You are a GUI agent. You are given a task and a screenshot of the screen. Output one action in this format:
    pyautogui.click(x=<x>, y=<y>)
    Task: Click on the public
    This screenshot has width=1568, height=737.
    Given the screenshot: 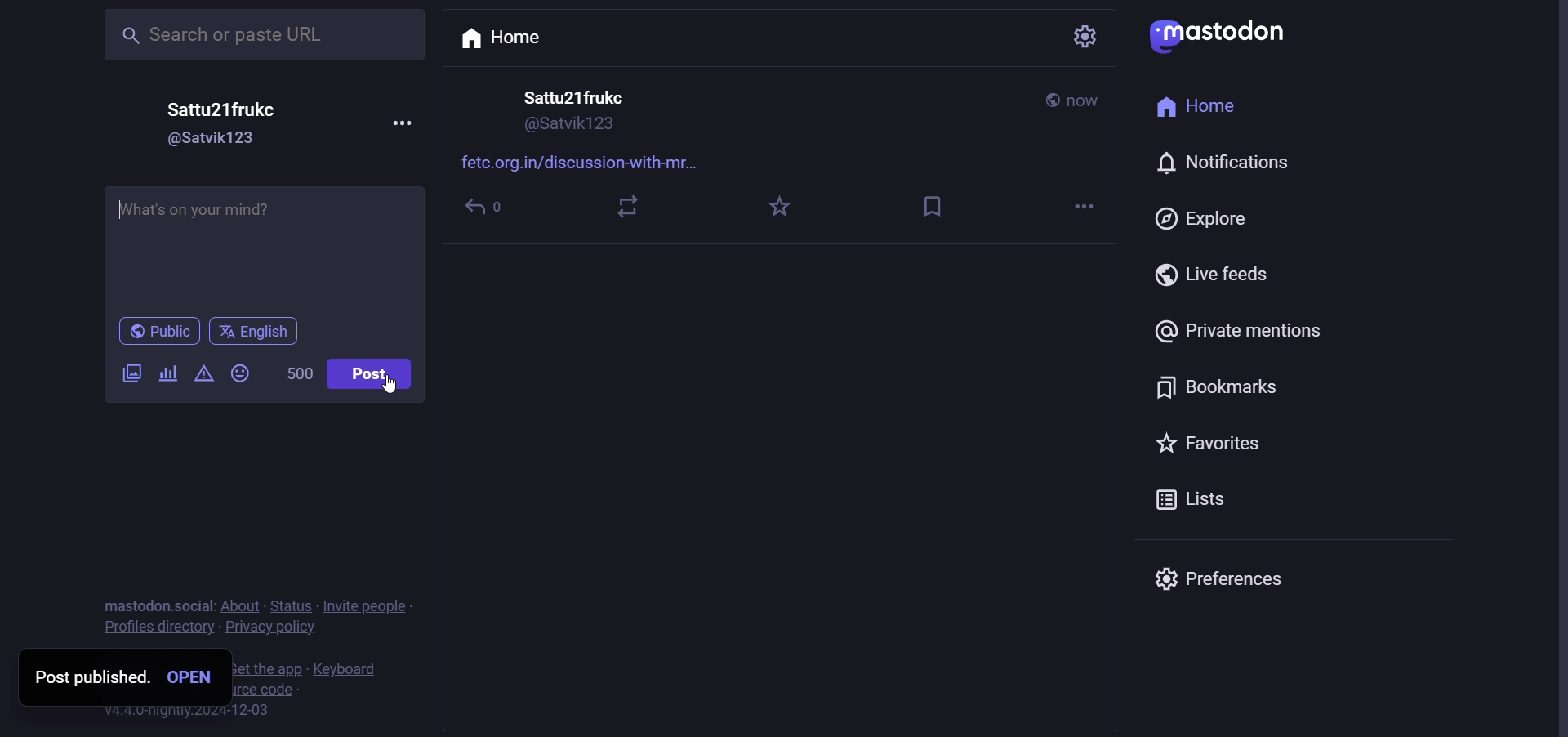 What is the action you would take?
    pyautogui.click(x=155, y=331)
    